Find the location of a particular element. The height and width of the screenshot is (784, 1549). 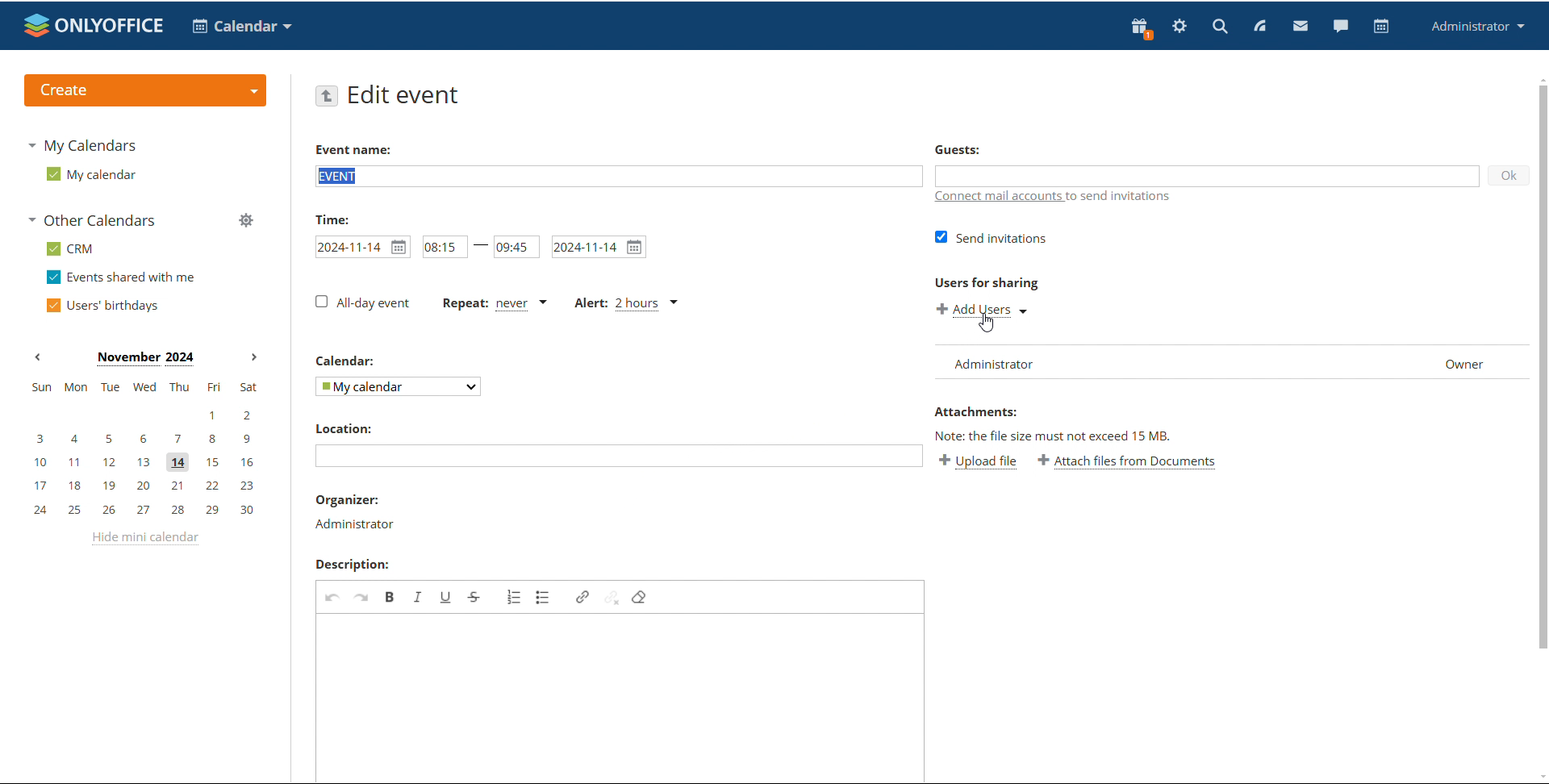

redo is located at coordinates (363, 596).